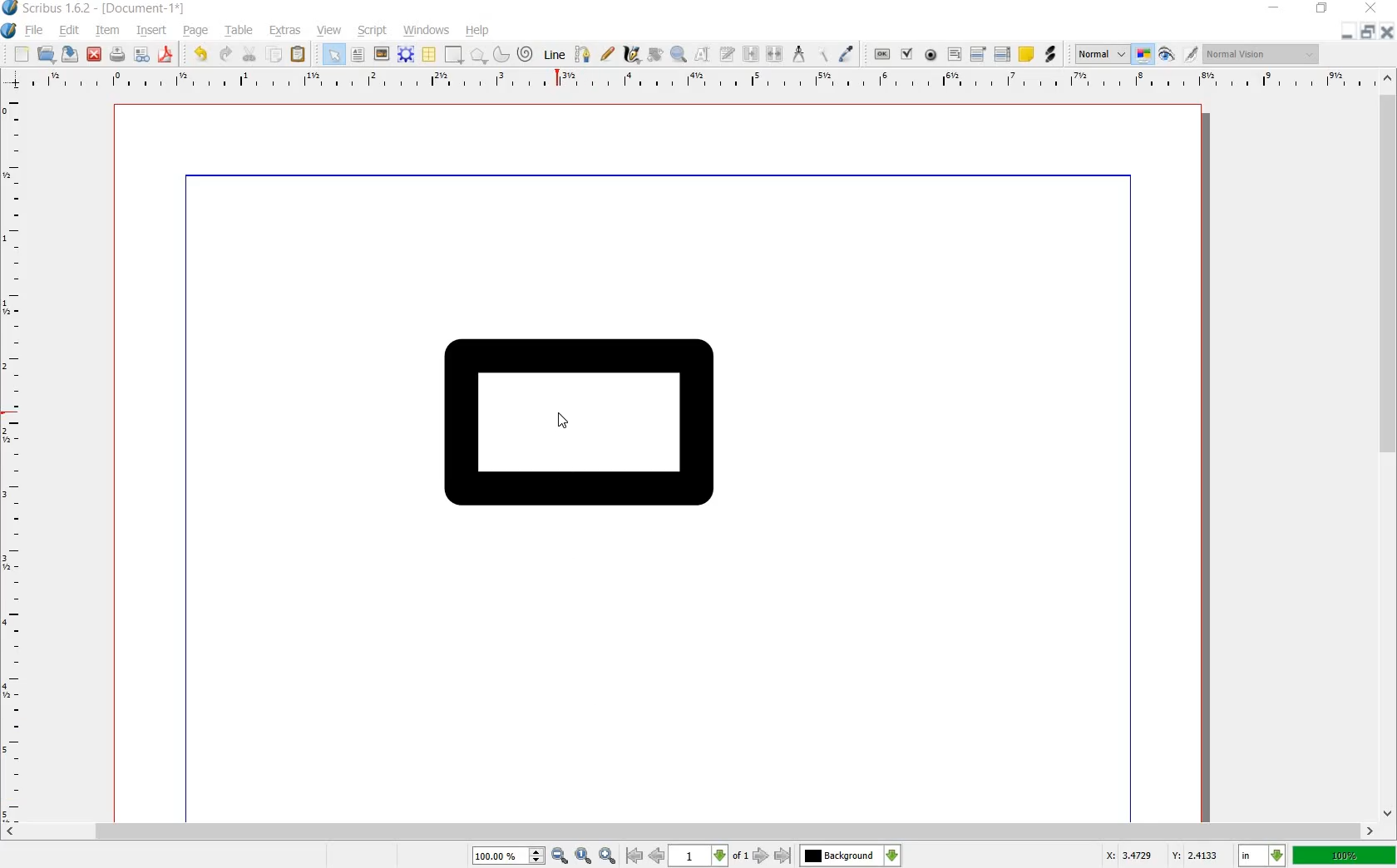 This screenshot has height=868, width=1397. I want to click on pdf push button, so click(877, 54).